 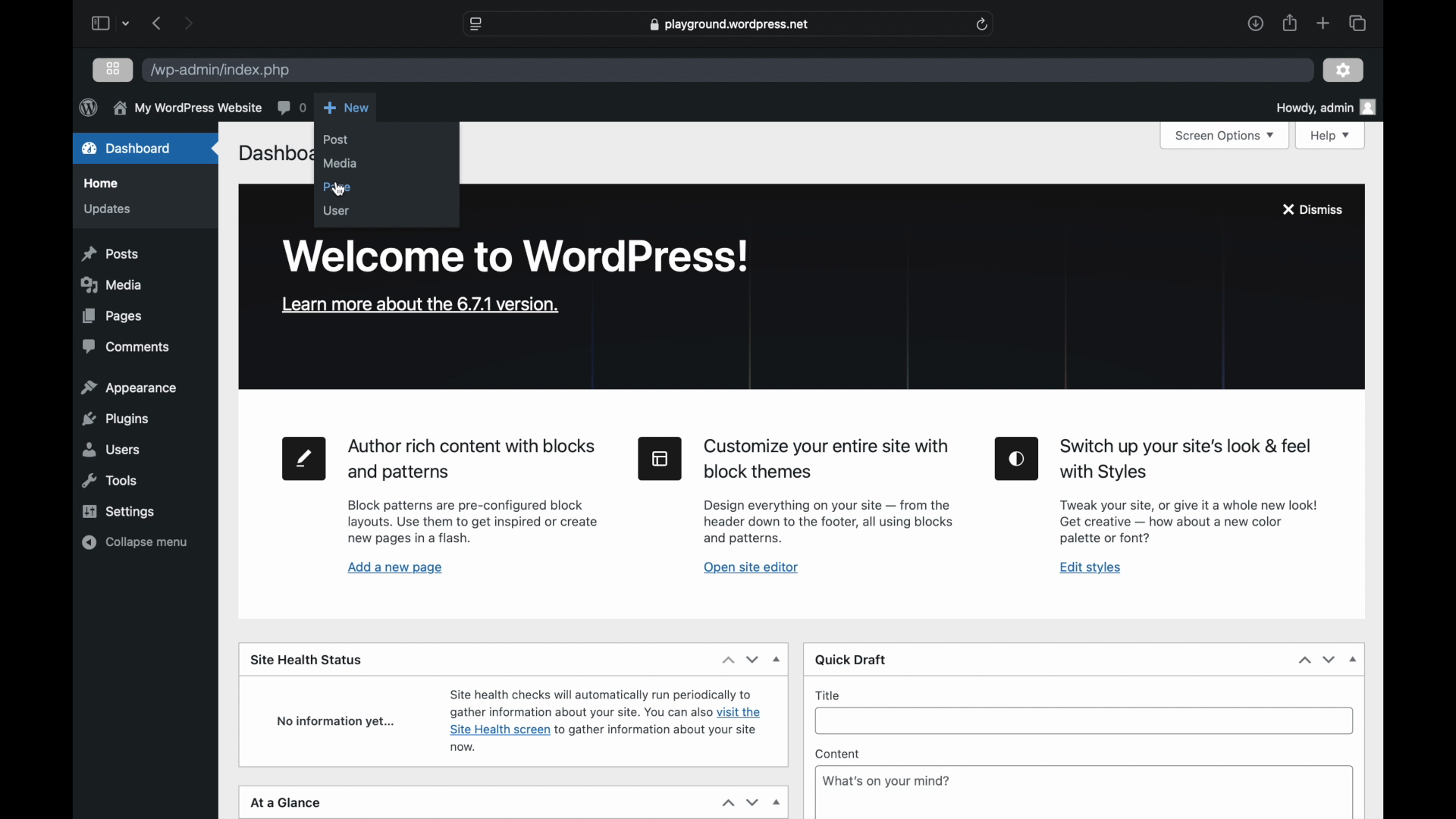 What do you see at coordinates (1331, 136) in the screenshot?
I see `help` at bounding box center [1331, 136].